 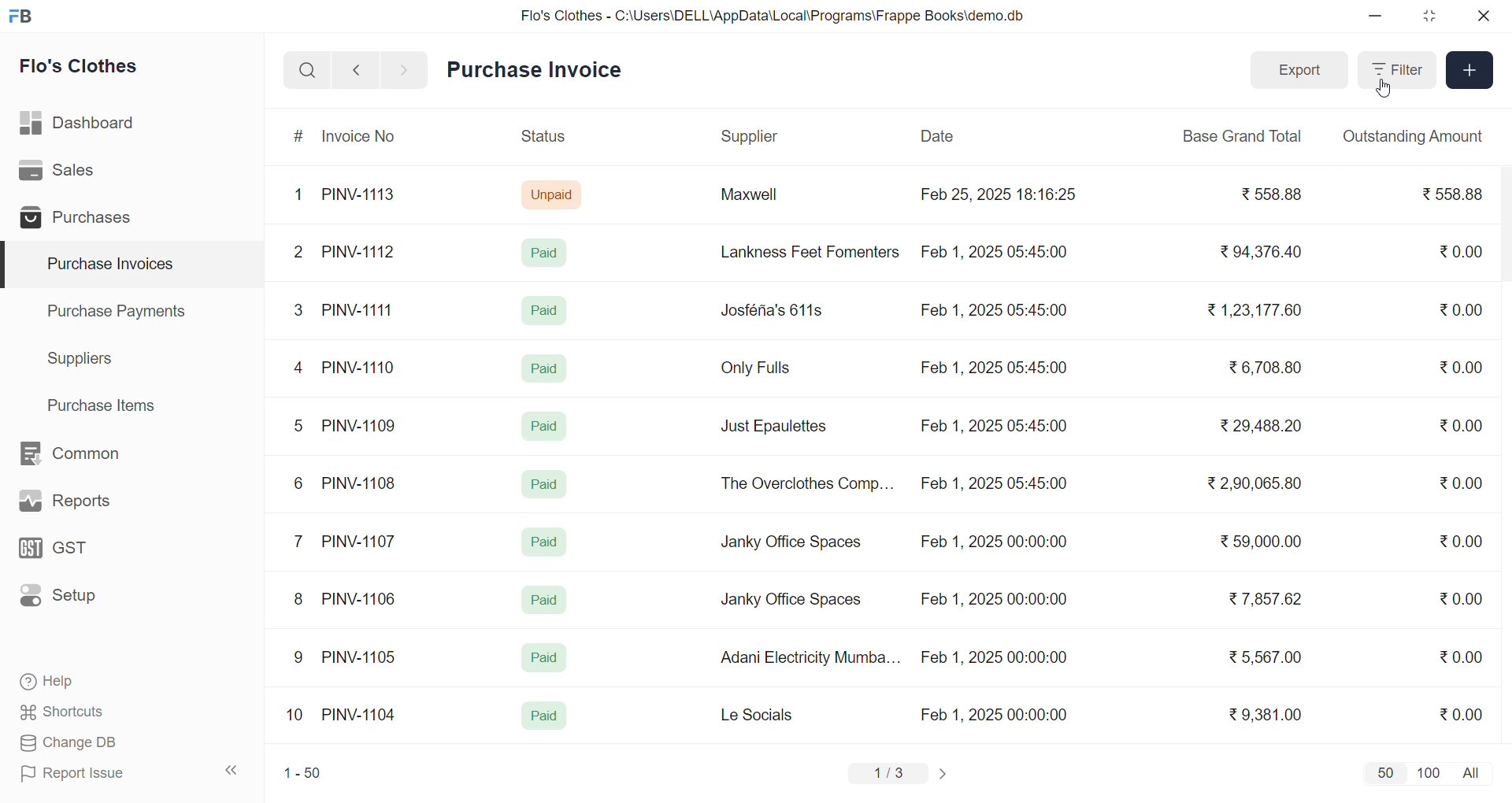 What do you see at coordinates (99, 743) in the screenshot?
I see `Change DB` at bounding box center [99, 743].